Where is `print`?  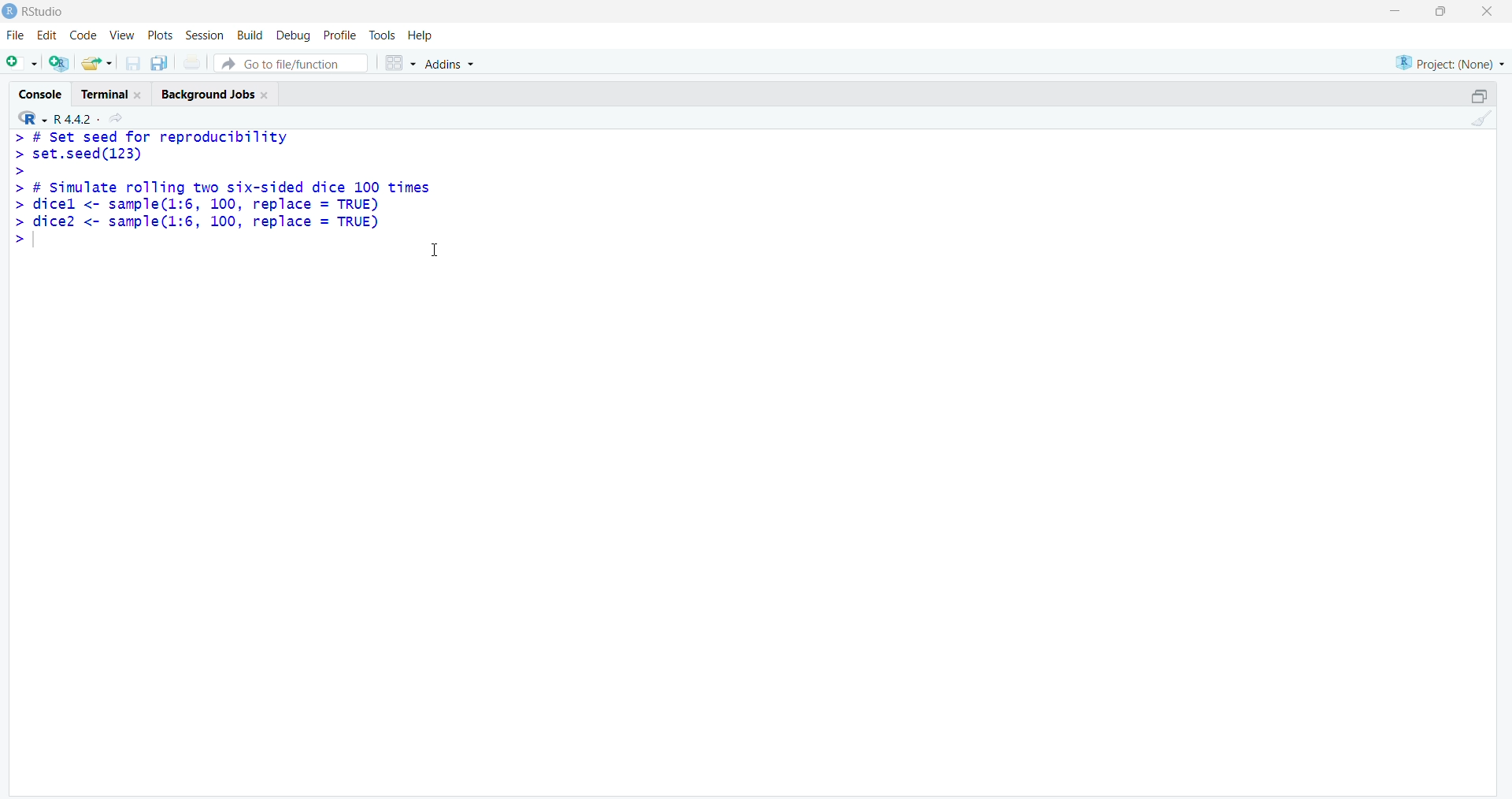
print is located at coordinates (192, 62).